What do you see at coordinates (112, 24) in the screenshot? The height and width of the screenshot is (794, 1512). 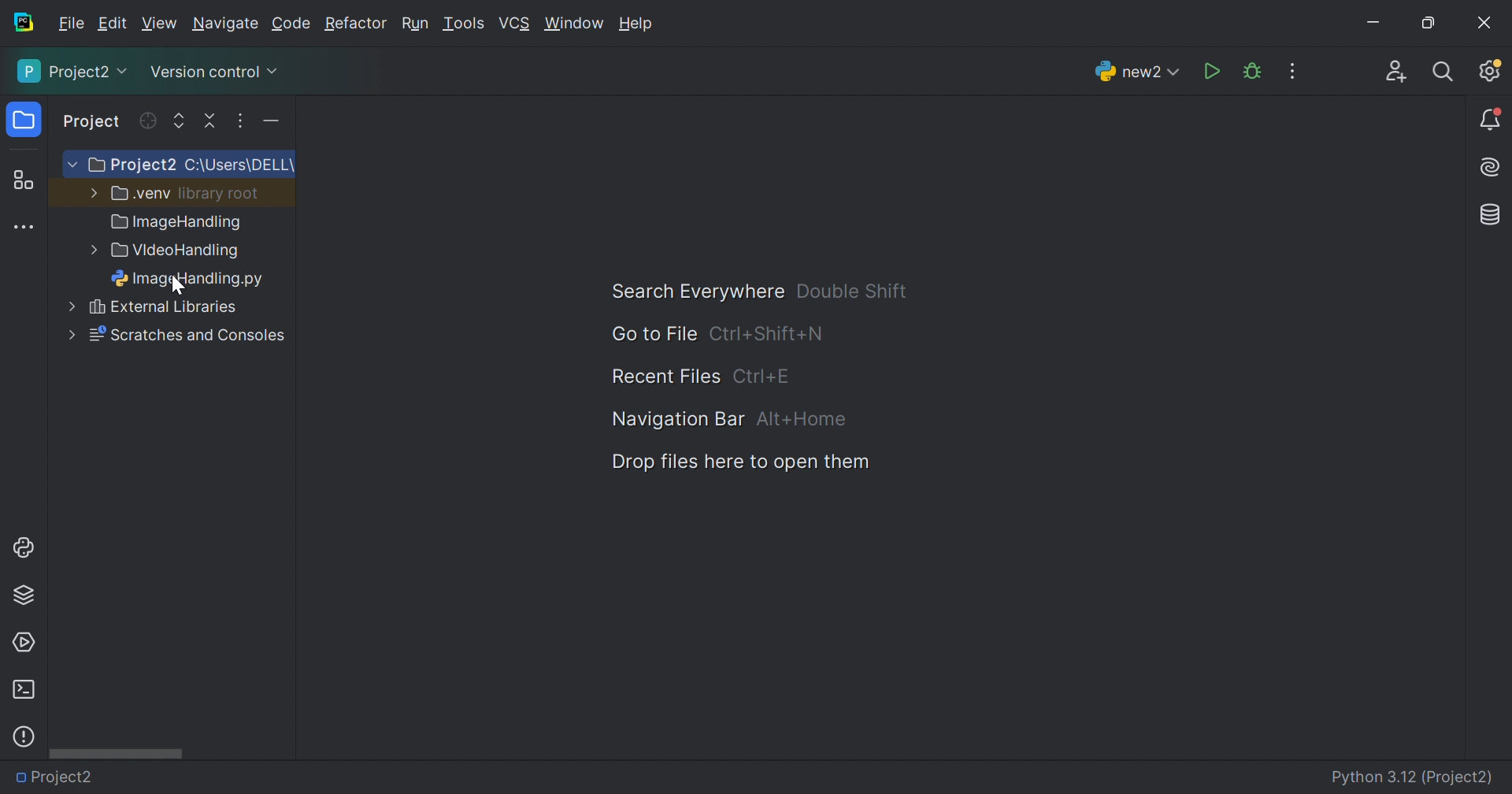 I see `Edit` at bounding box center [112, 24].